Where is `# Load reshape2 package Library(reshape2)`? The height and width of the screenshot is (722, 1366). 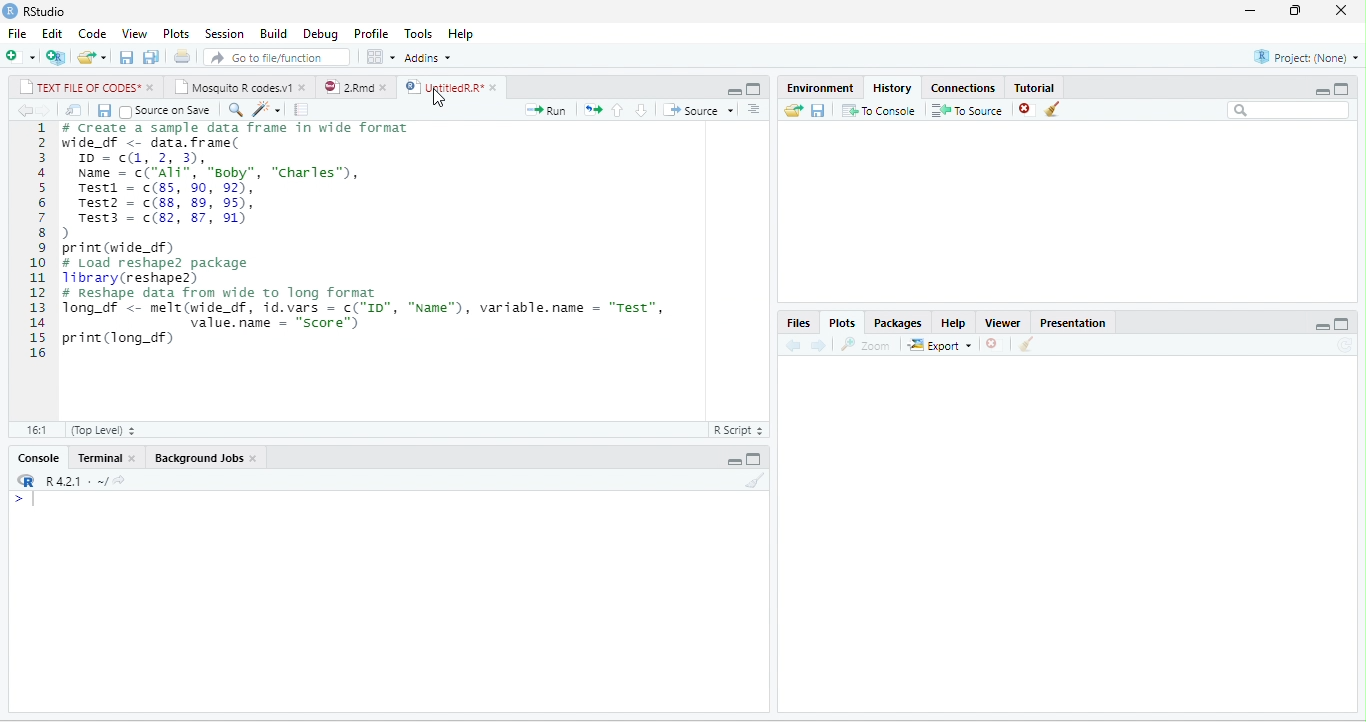 # Load reshape2 package Library(reshape2) is located at coordinates (170, 271).